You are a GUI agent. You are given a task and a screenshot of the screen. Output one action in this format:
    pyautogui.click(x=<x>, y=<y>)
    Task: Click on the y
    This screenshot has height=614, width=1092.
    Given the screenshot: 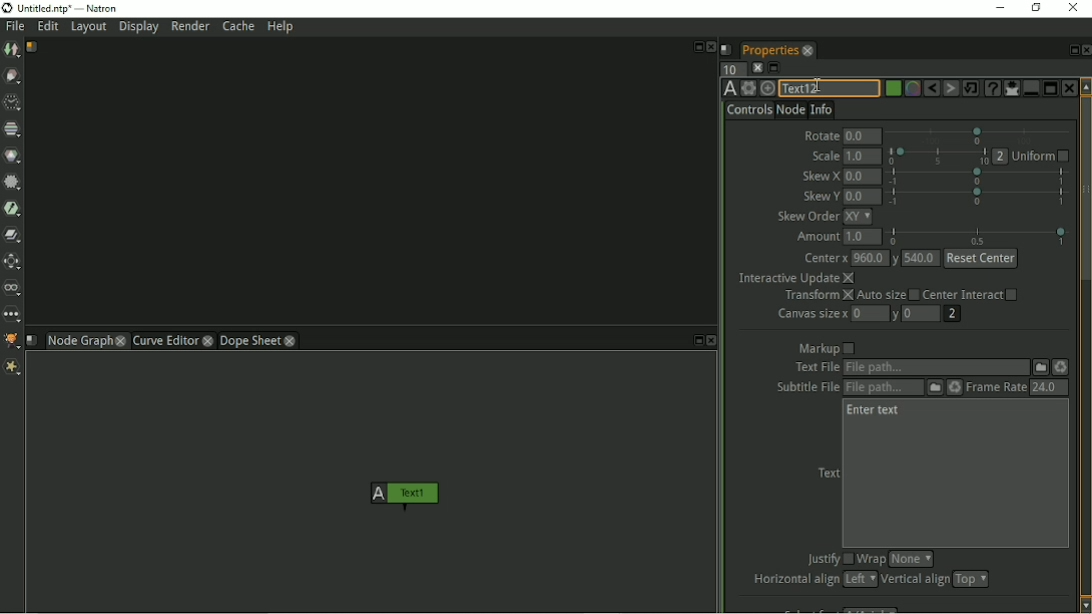 What is the action you would take?
    pyautogui.click(x=896, y=258)
    